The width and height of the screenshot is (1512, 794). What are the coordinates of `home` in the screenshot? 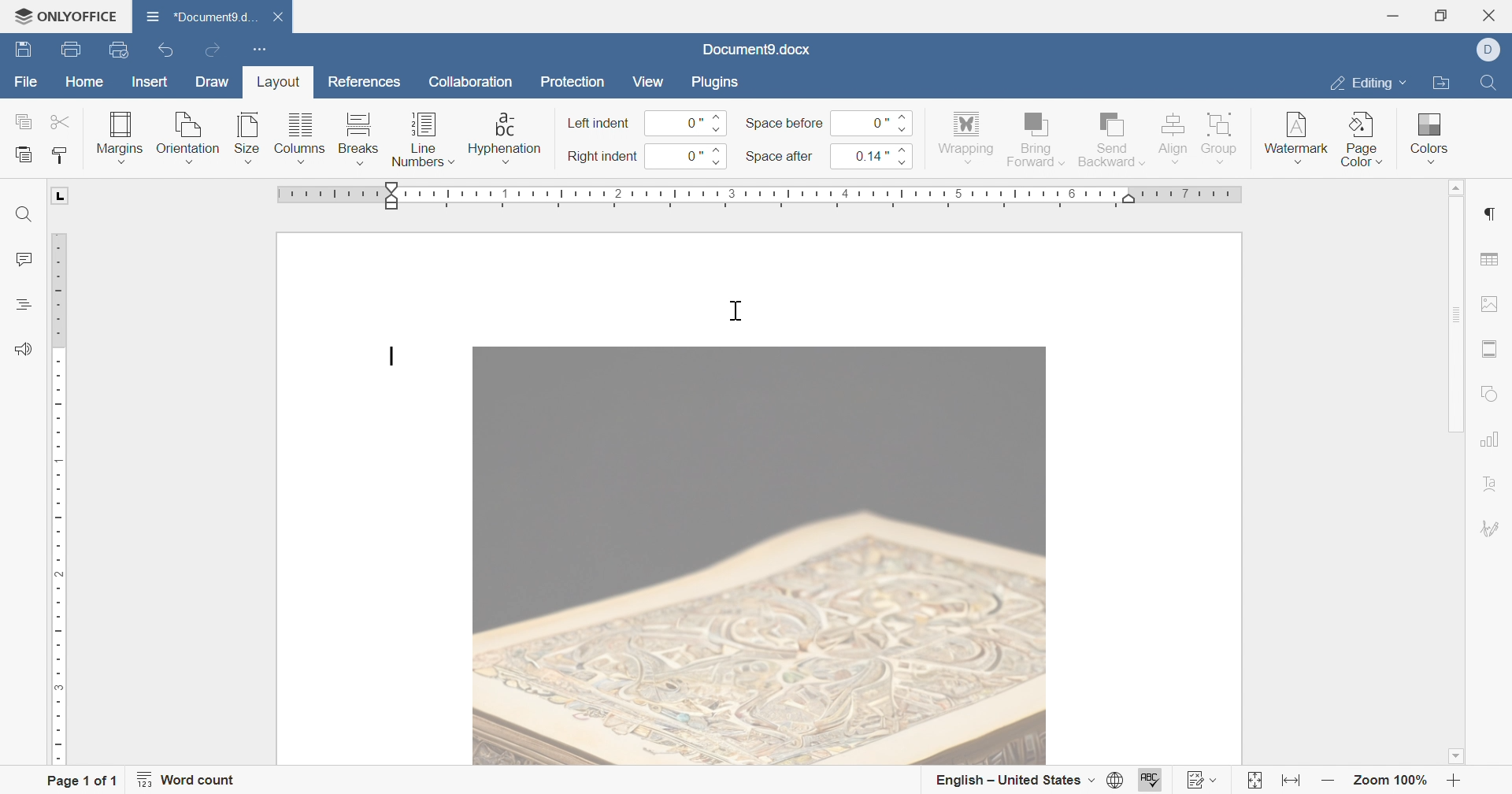 It's located at (85, 84).